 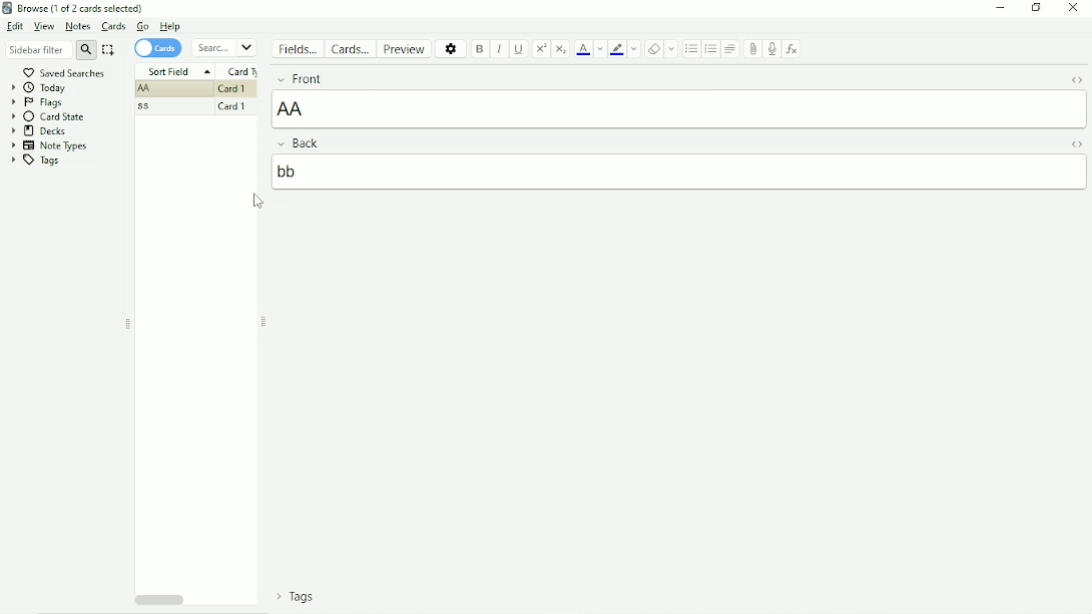 I want to click on Card 1, so click(x=233, y=106).